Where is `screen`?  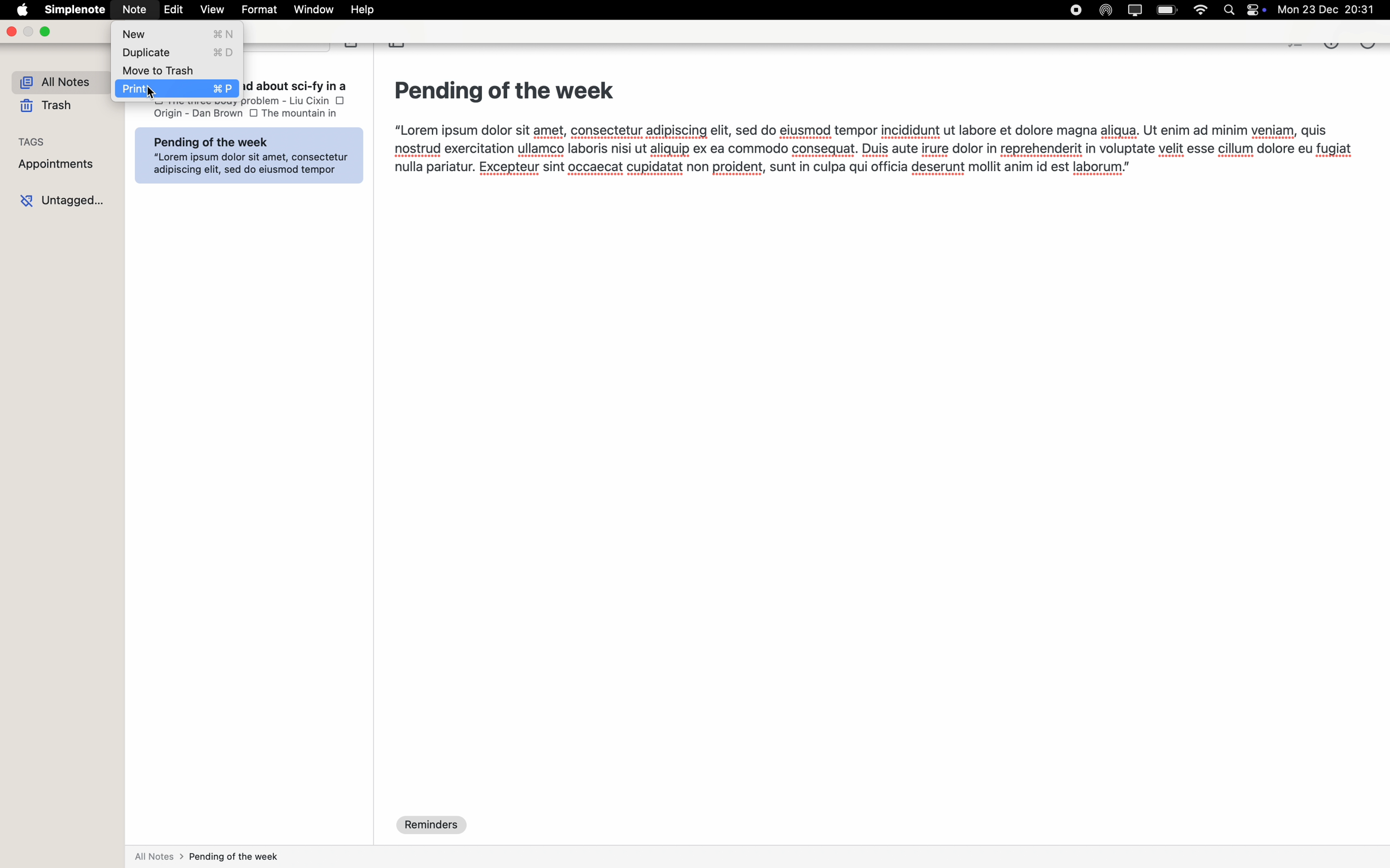 screen is located at coordinates (1135, 10).